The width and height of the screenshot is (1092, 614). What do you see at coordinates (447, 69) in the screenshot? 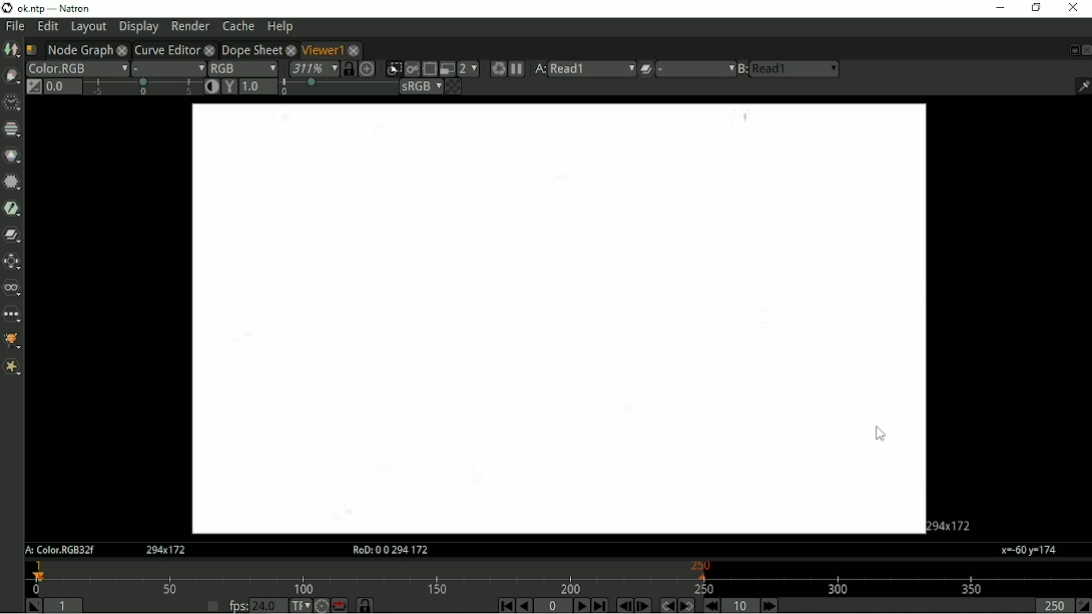
I see `Proxy mode` at bounding box center [447, 69].